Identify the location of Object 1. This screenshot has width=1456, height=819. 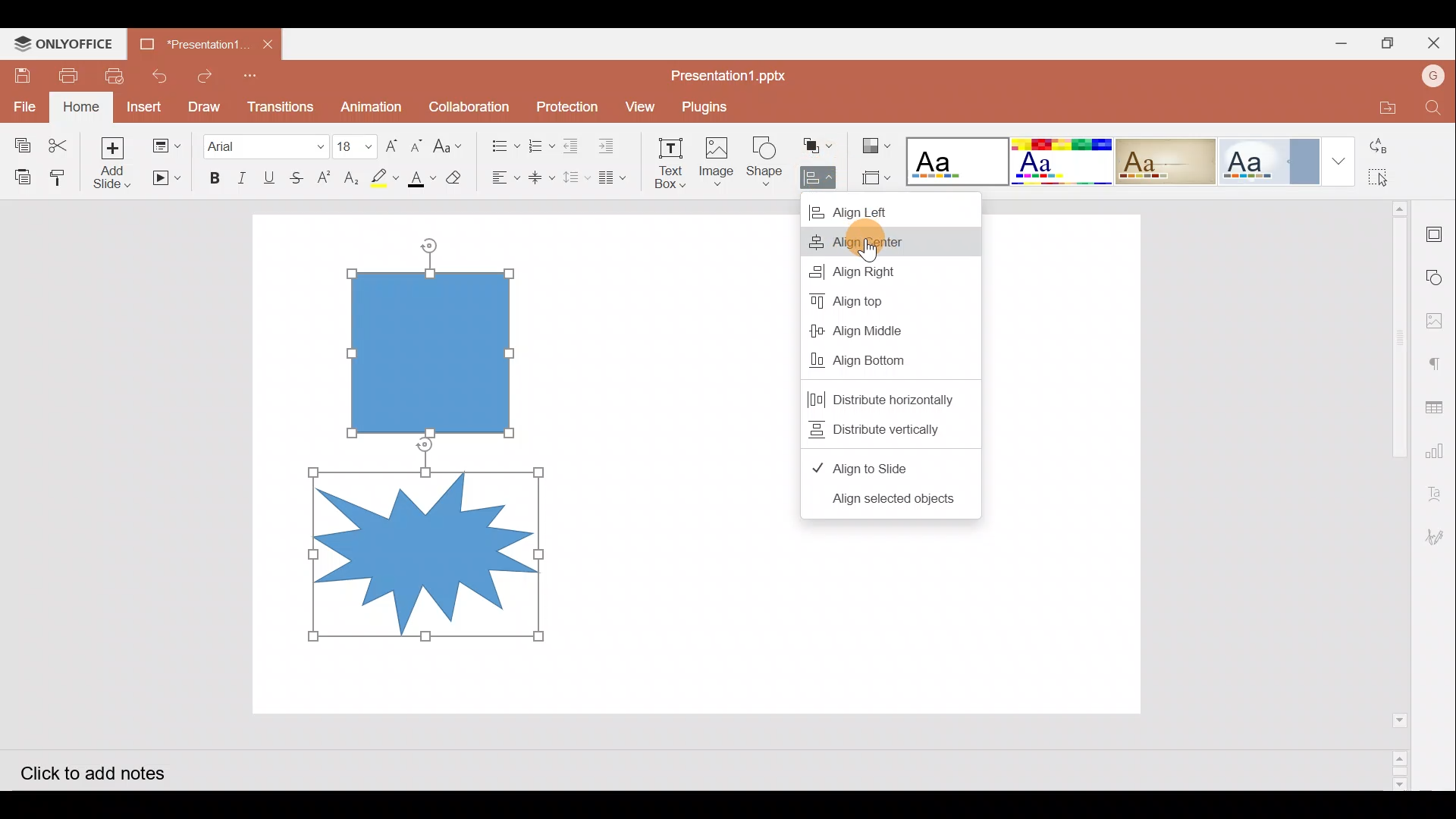
(436, 351).